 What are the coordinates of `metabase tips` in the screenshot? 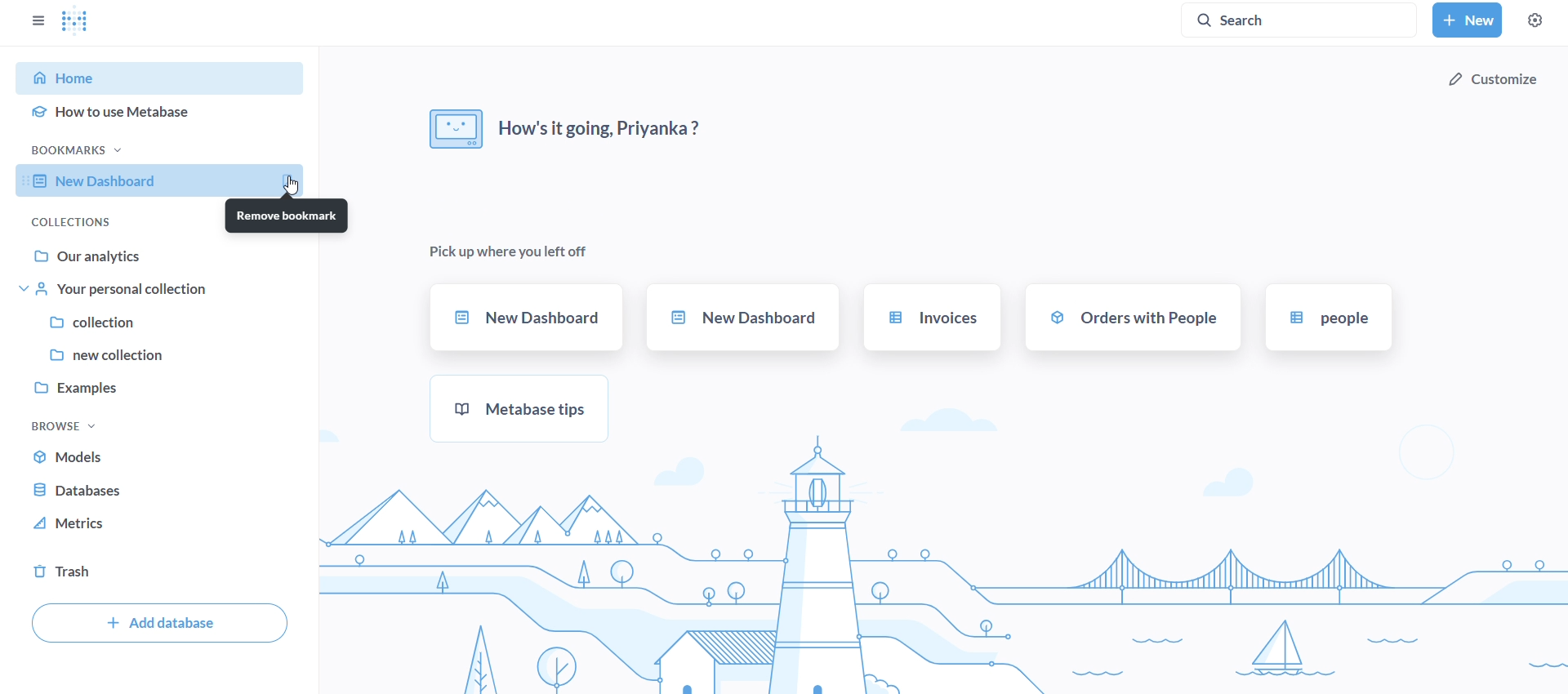 It's located at (524, 408).